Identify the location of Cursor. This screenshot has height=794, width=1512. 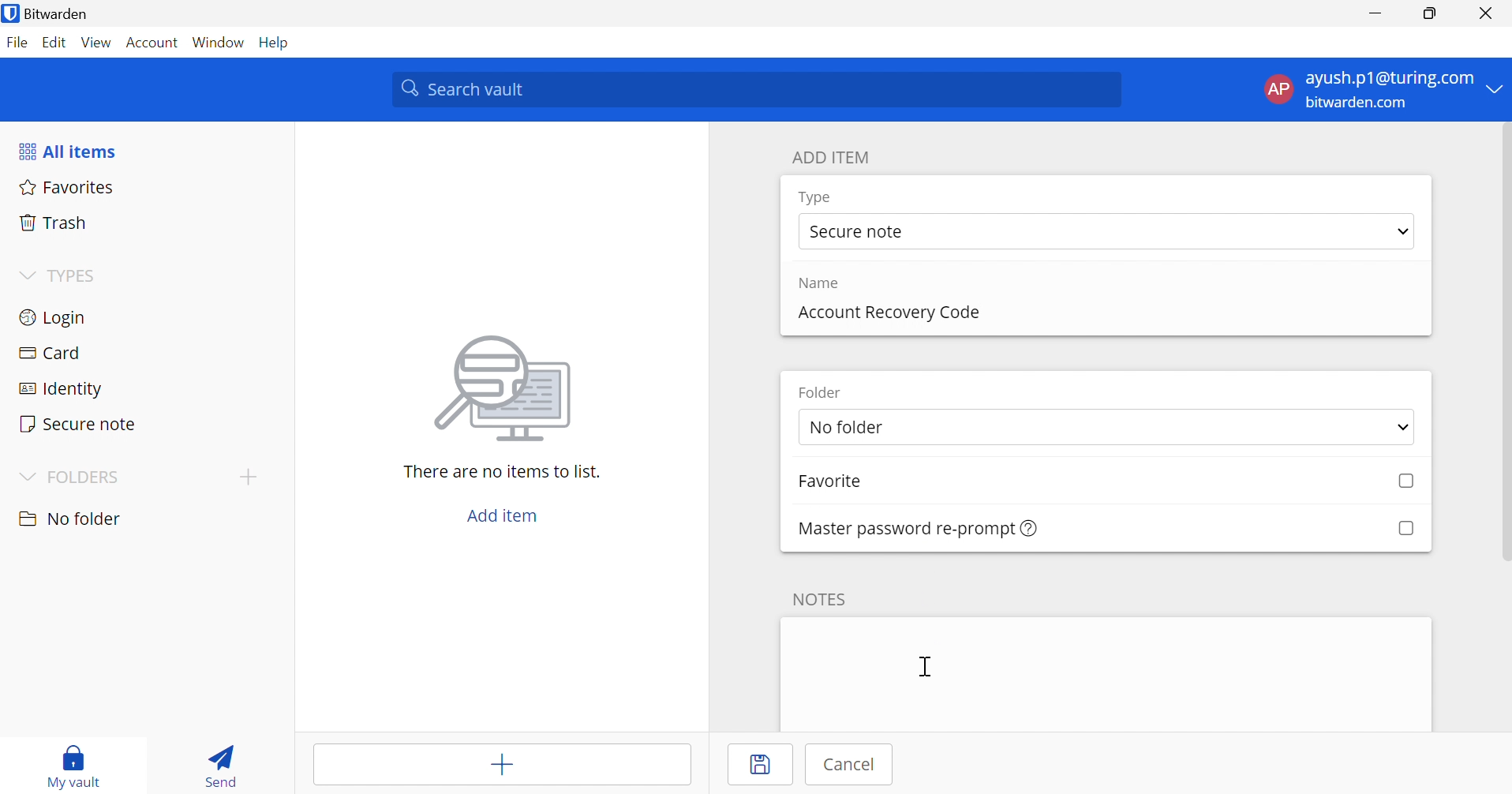
(926, 669).